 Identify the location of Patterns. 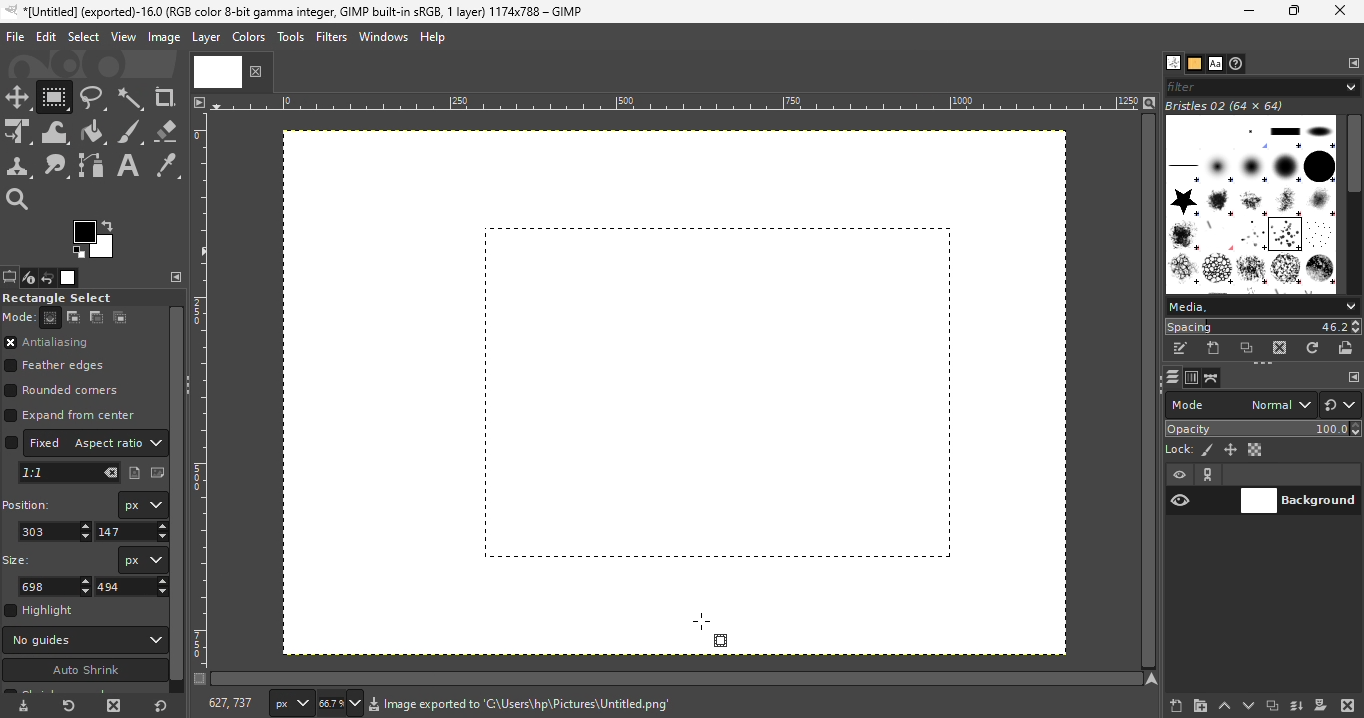
(1194, 64).